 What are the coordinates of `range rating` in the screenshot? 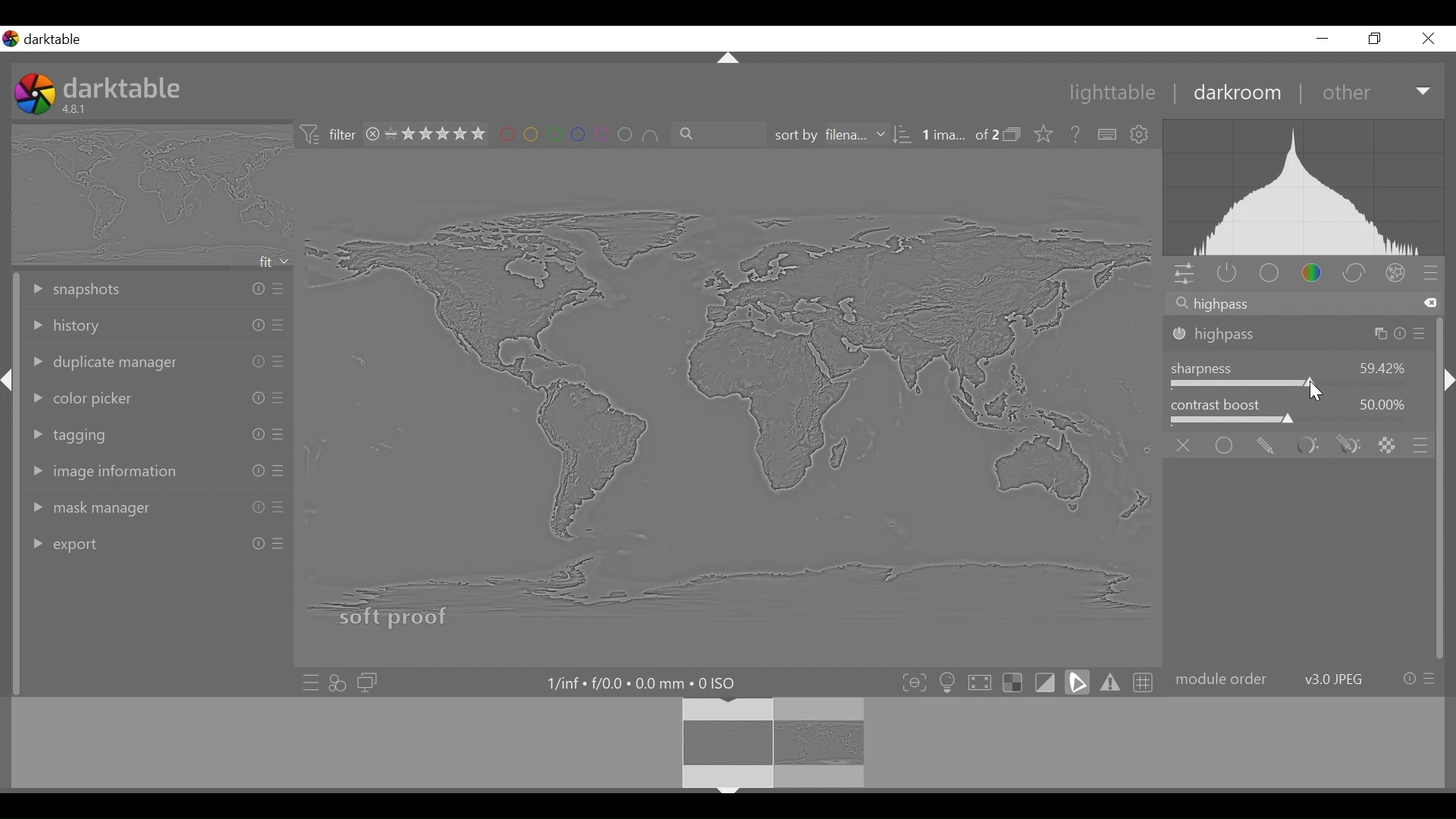 It's located at (435, 133).